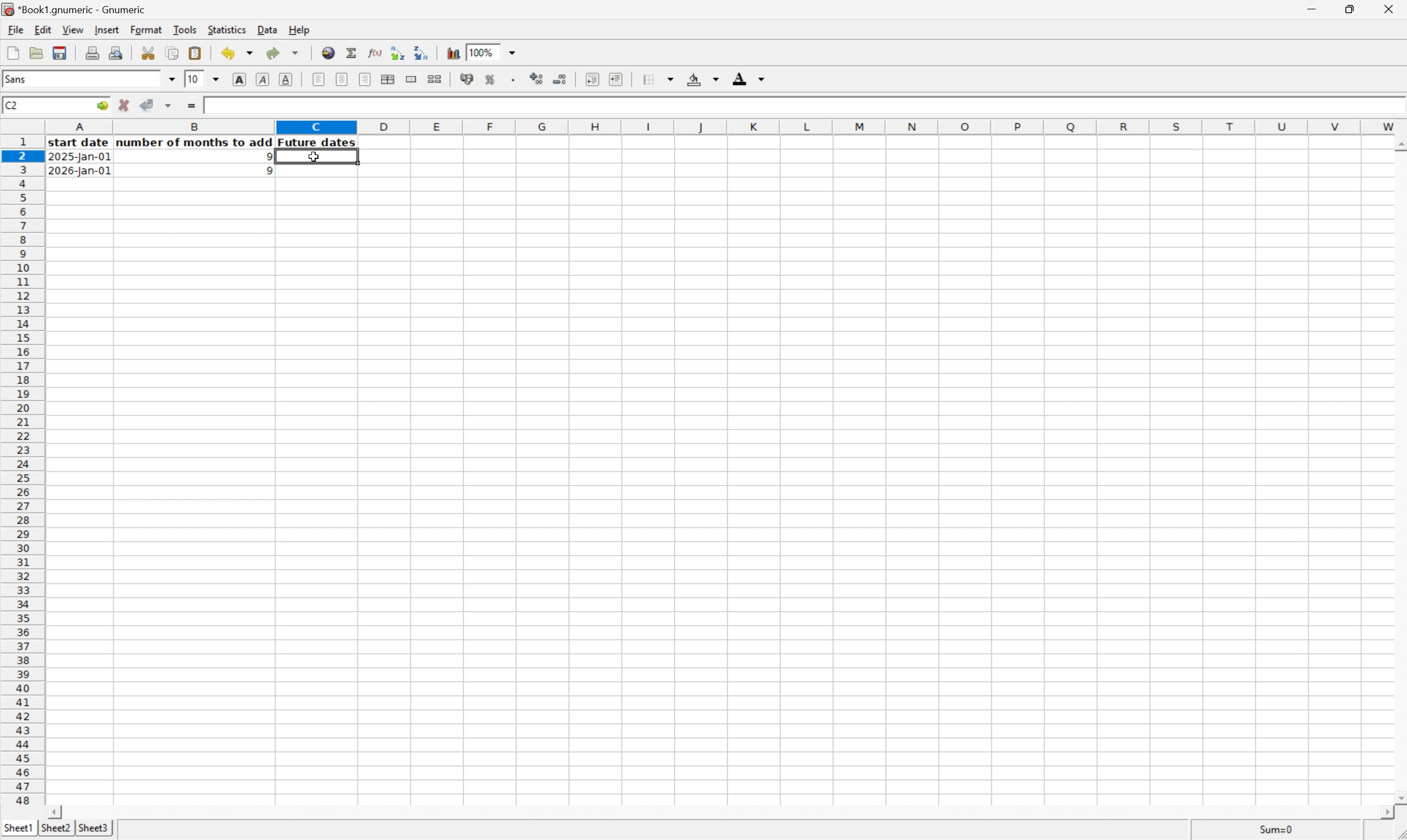 The width and height of the screenshot is (1407, 840). I want to click on Save a current workbook, so click(62, 53).